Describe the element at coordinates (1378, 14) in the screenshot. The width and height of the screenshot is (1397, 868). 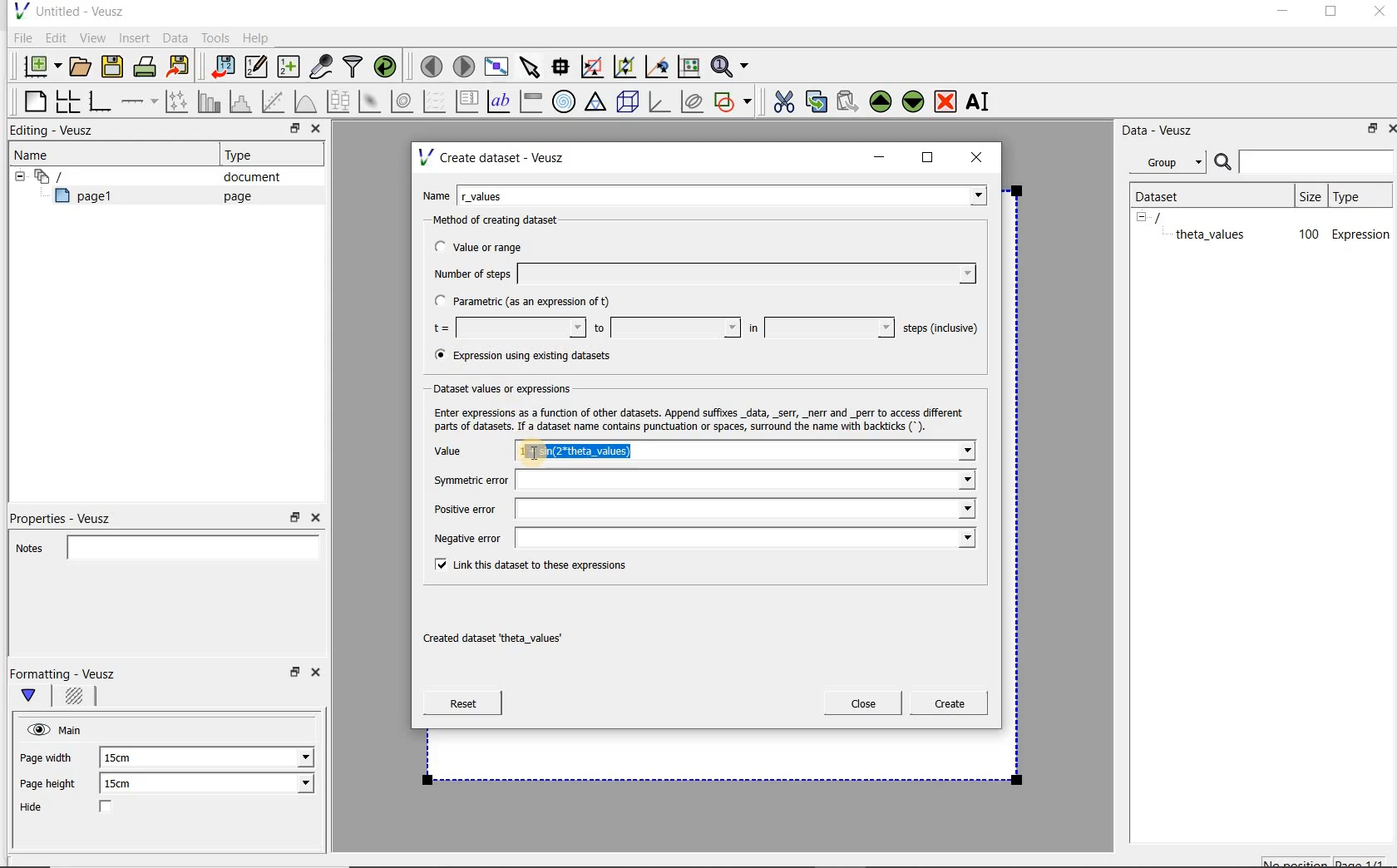
I see `Close` at that location.